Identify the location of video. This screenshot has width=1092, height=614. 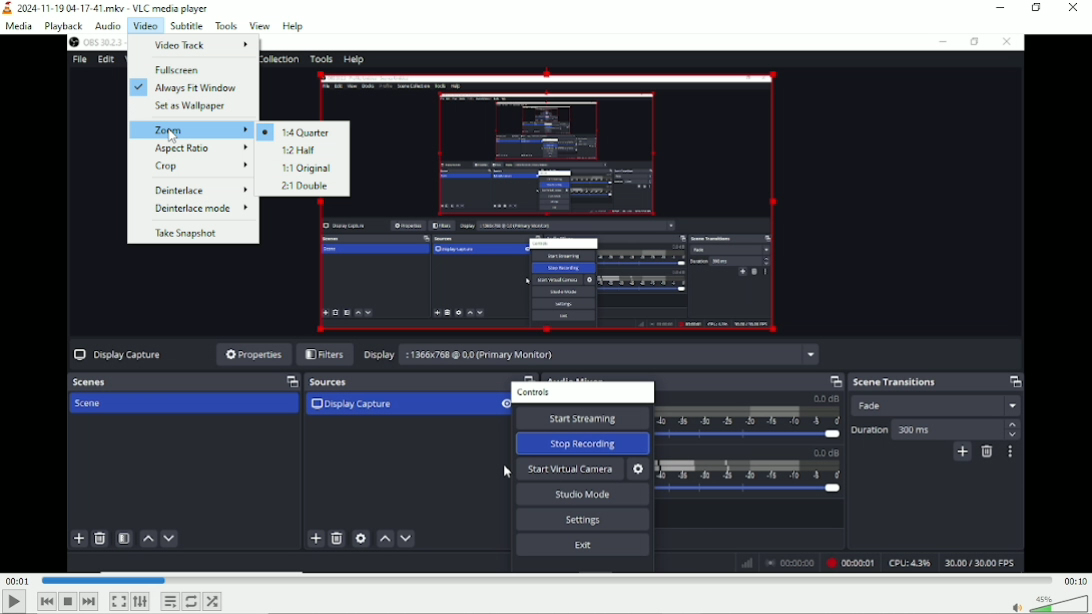
(143, 25).